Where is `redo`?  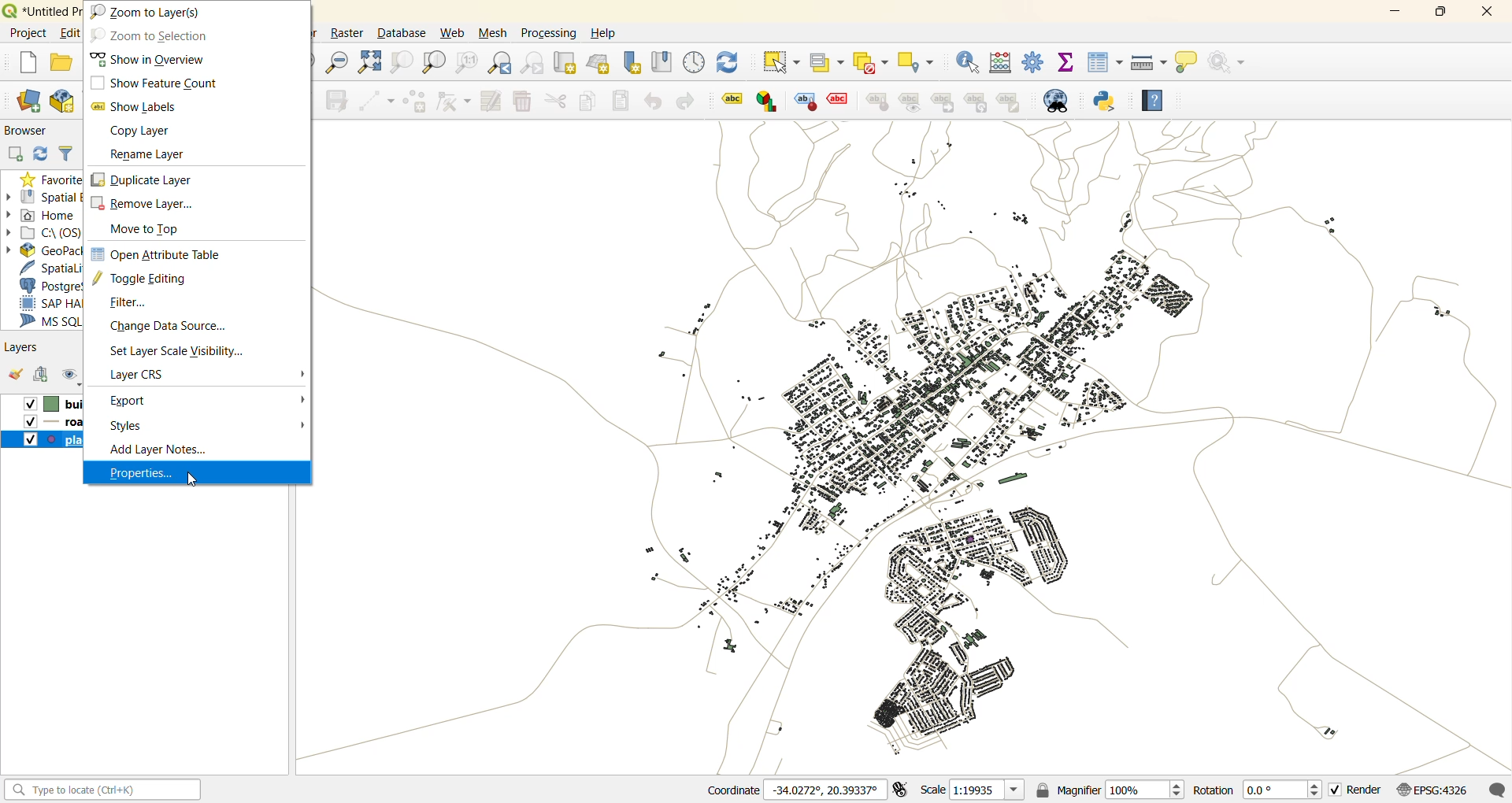
redo is located at coordinates (688, 99).